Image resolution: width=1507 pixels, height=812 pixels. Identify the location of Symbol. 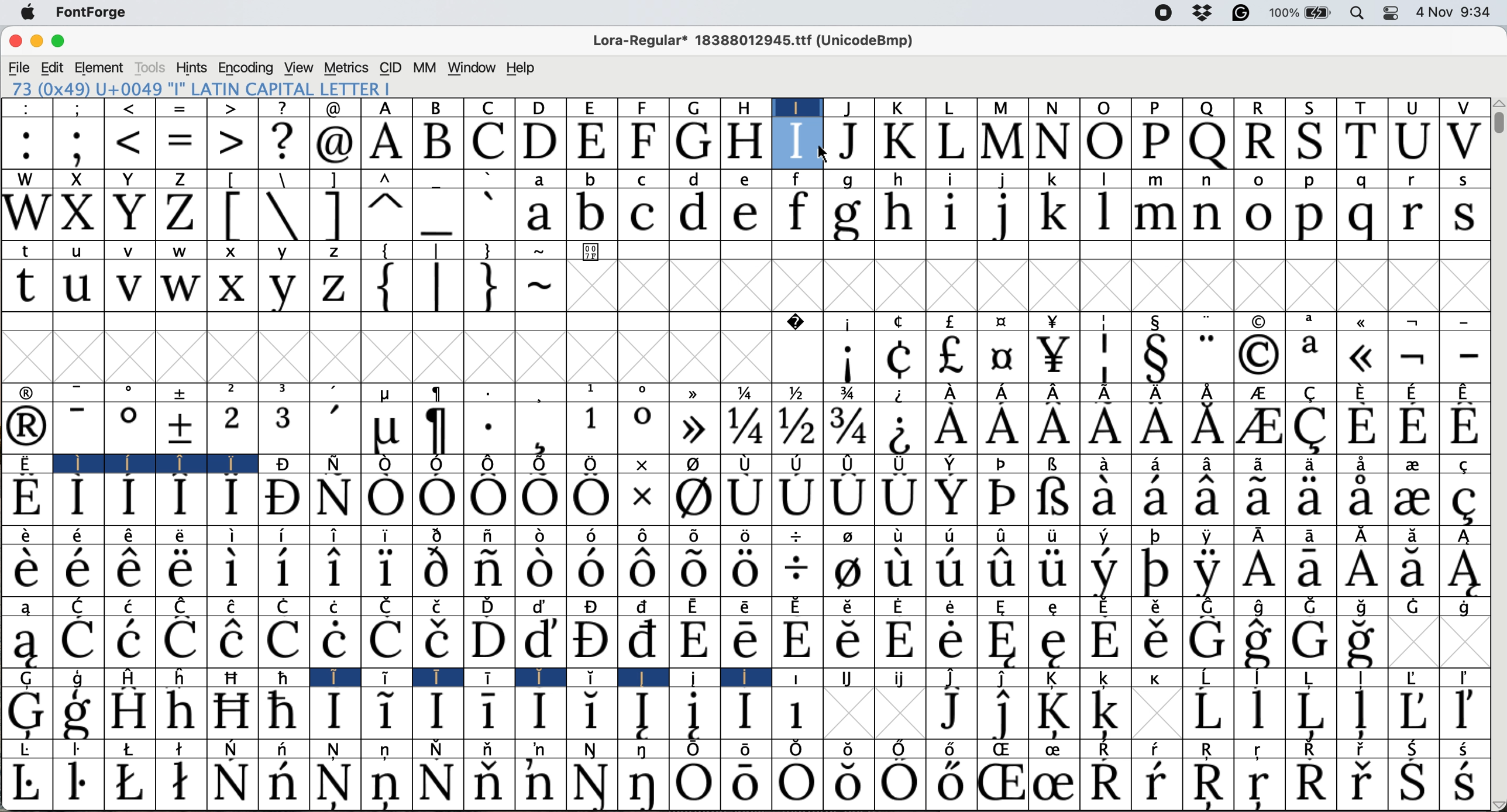
(592, 750).